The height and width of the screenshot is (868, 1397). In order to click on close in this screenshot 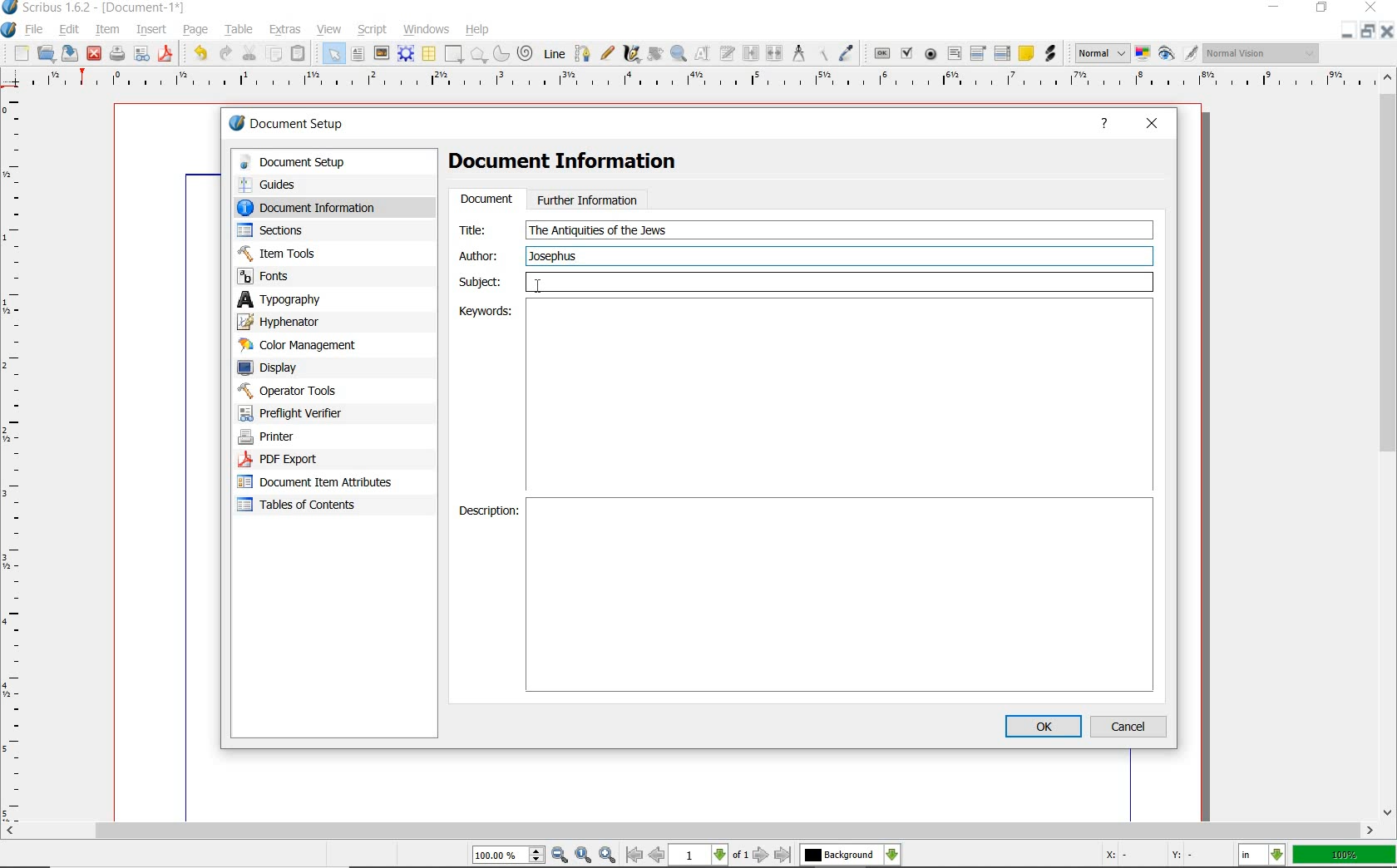, I will do `click(95, 55)`.